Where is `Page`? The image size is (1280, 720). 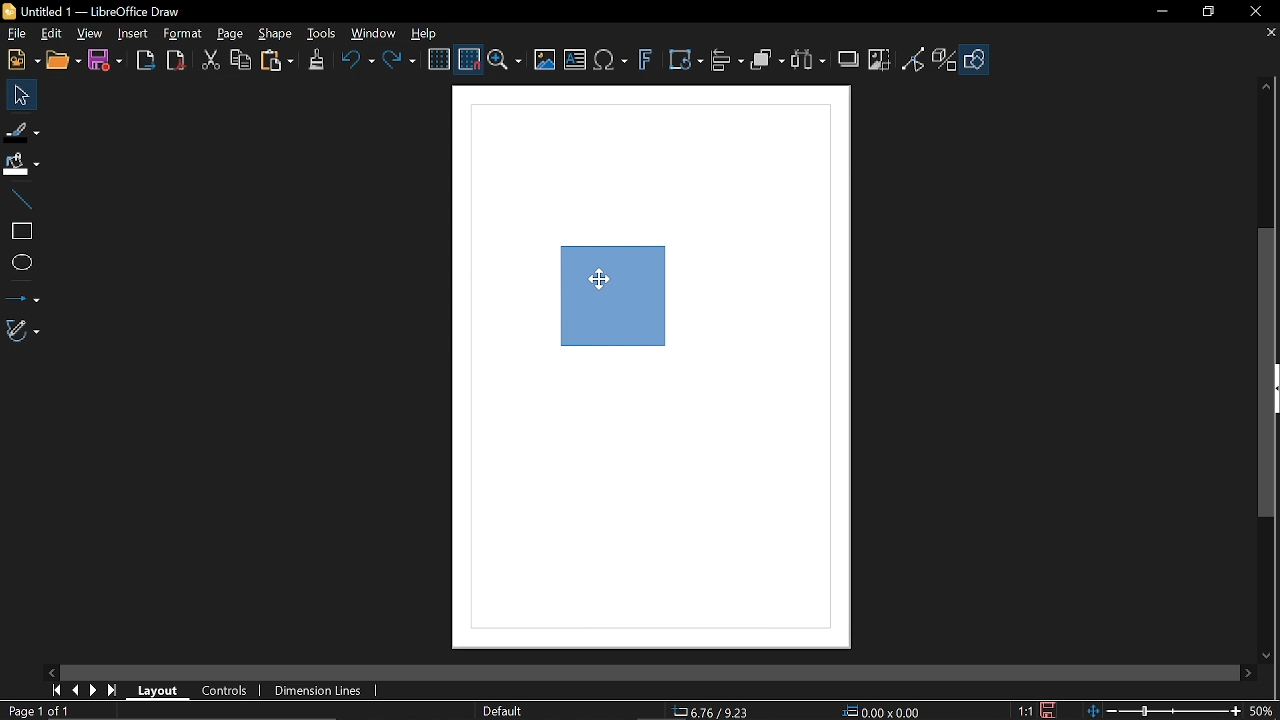 Page is located at coordinates (230, 34).